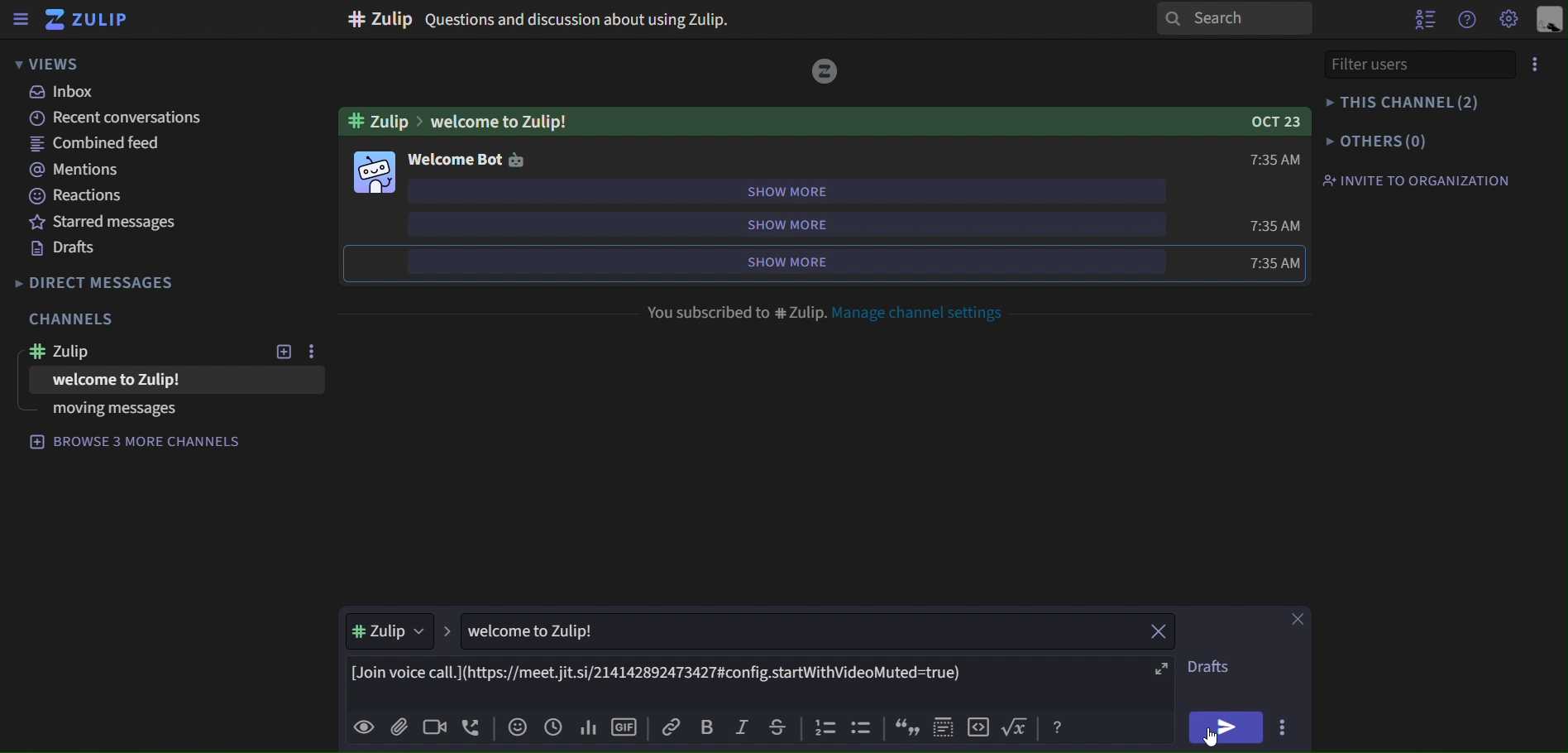 This screenshot has height=753, width=1568. Describe the element at coordinates (1510, 21) in the screenshot. I see `main menu` at that location.